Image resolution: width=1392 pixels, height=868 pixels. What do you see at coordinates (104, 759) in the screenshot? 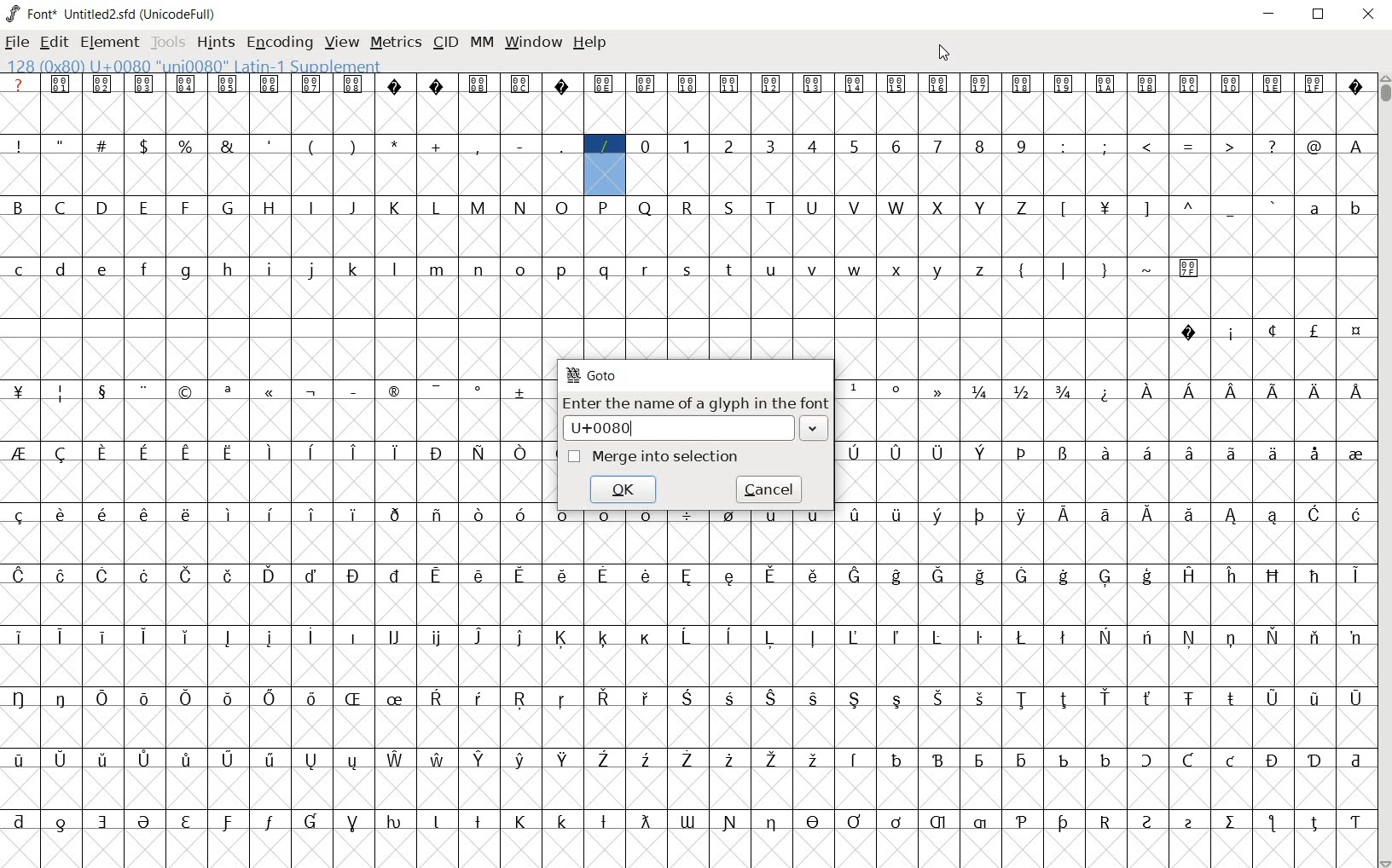
I see `glyph` at bounding box center [104, 759].